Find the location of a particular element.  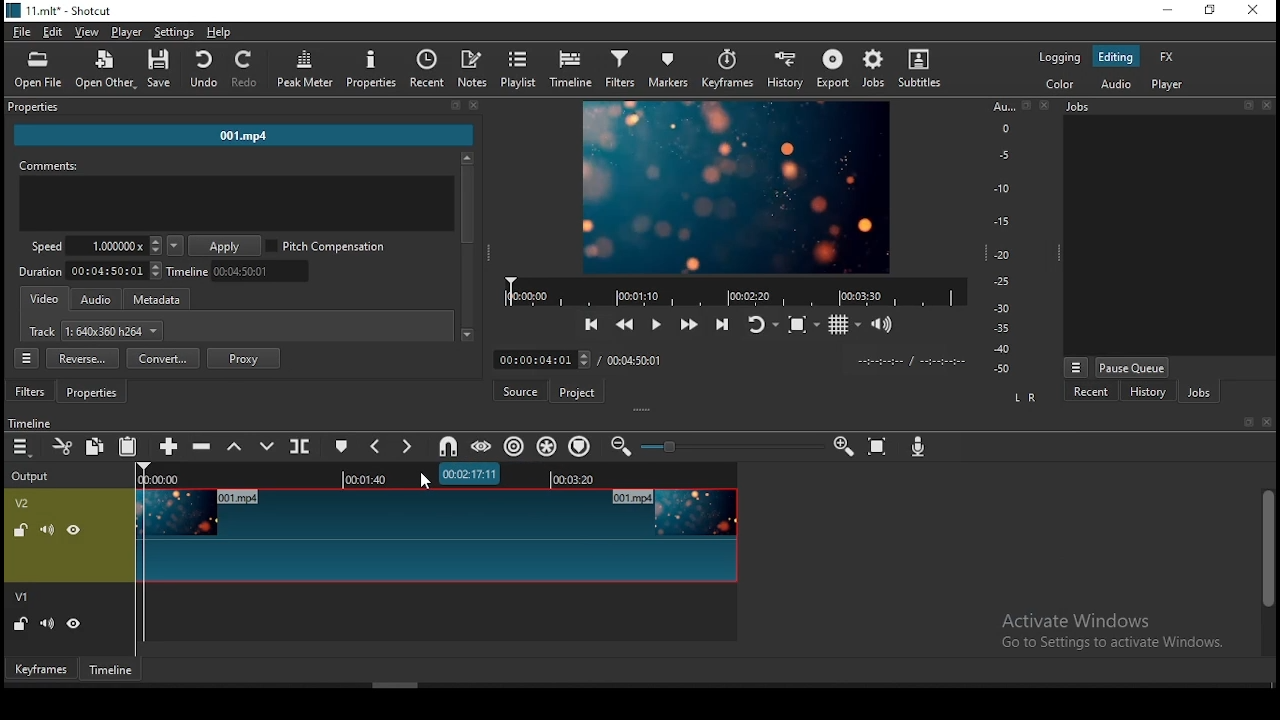

properties is located at coordinates (241, 108).